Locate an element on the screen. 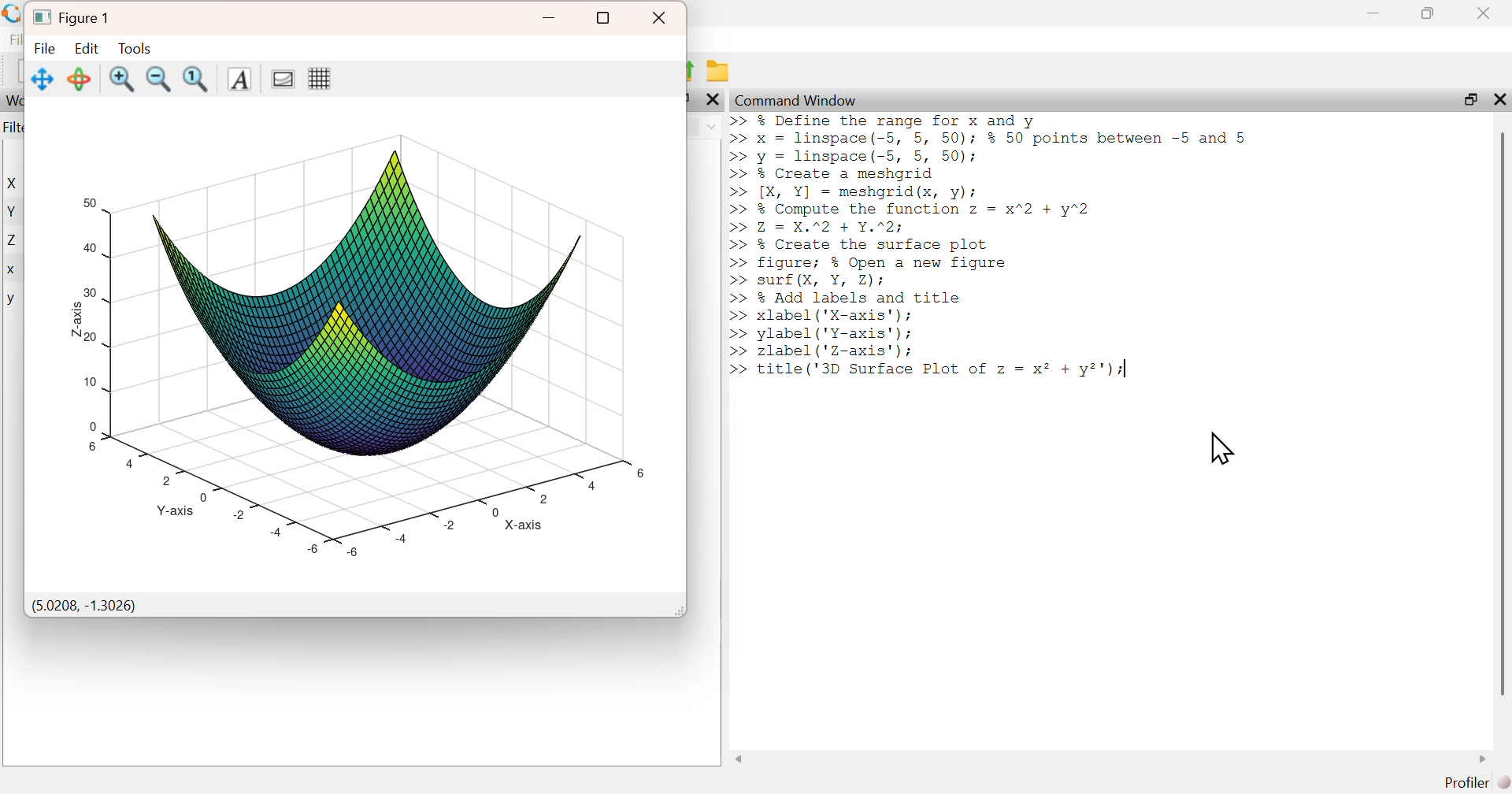  Y is located at coordinates (13, 211).